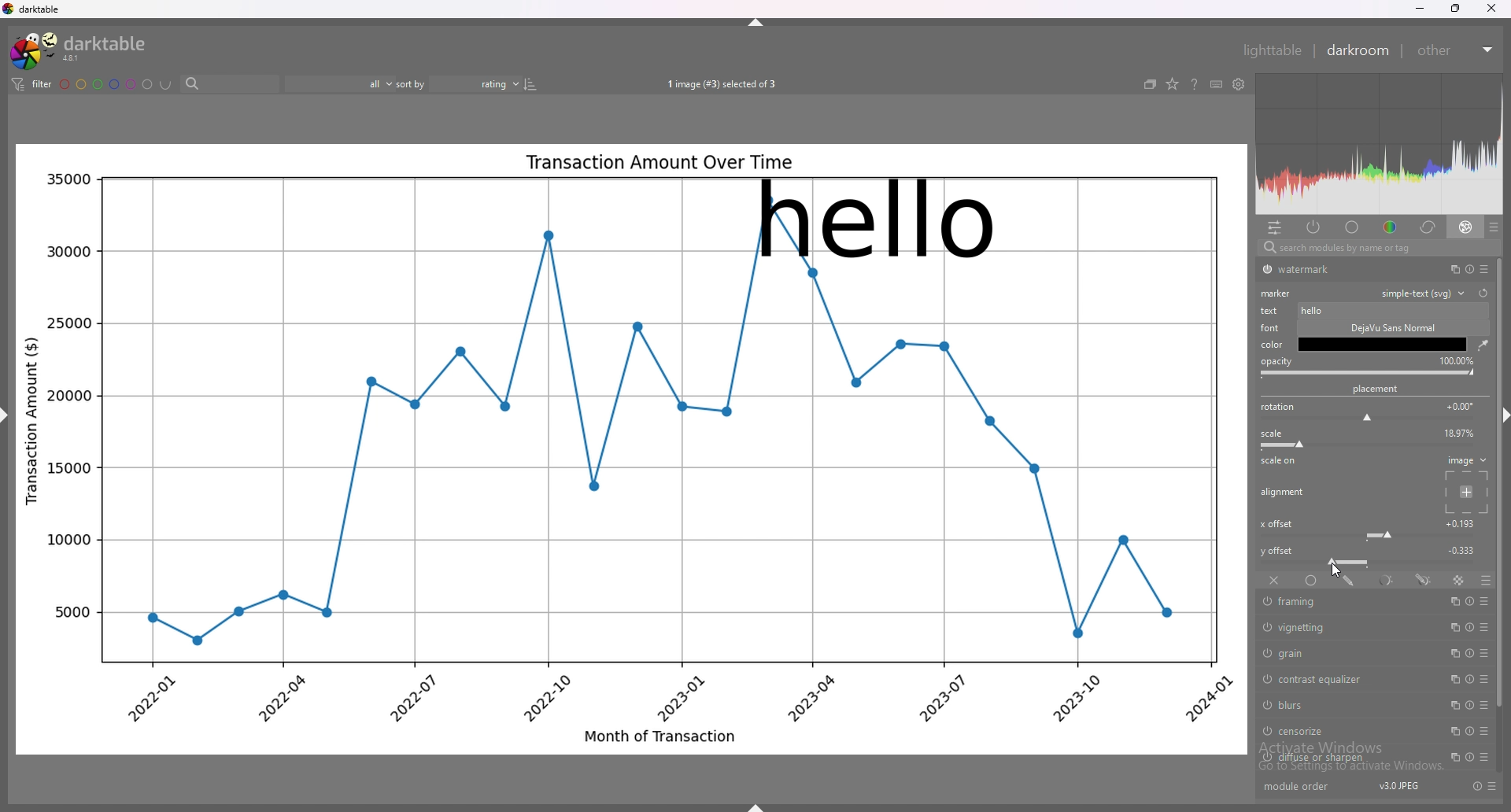 The image size is (1511, 812). Describe the element at coordinates (79, 50) in the screenshot. I see `darktable` at that location.